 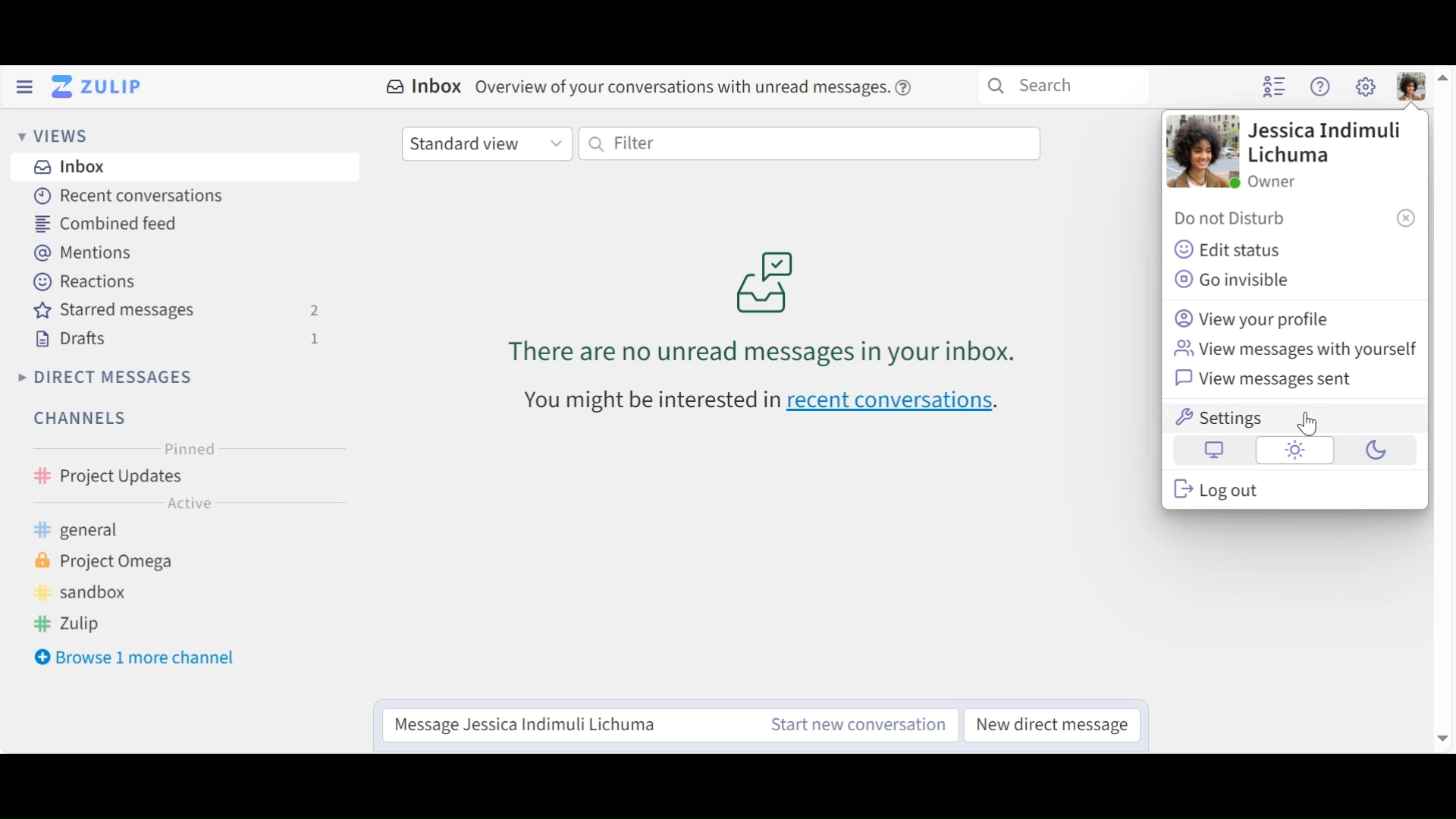 What do you see at coordinates (1236, 489) in the screenshot?
I see `log out` at bounding box center [1236, 489].